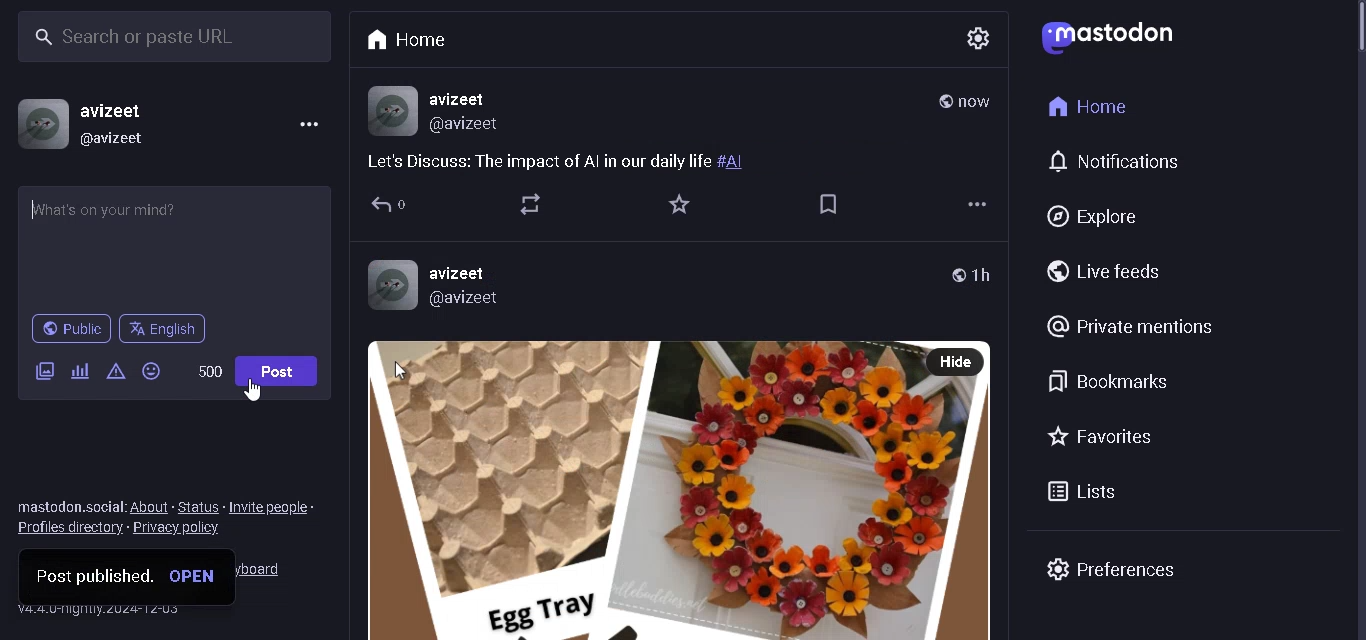  What do you see at coordinates (41, 124) in the screenshot?
I see `PROFILE PICTURE` at bounding box center [41, 124].